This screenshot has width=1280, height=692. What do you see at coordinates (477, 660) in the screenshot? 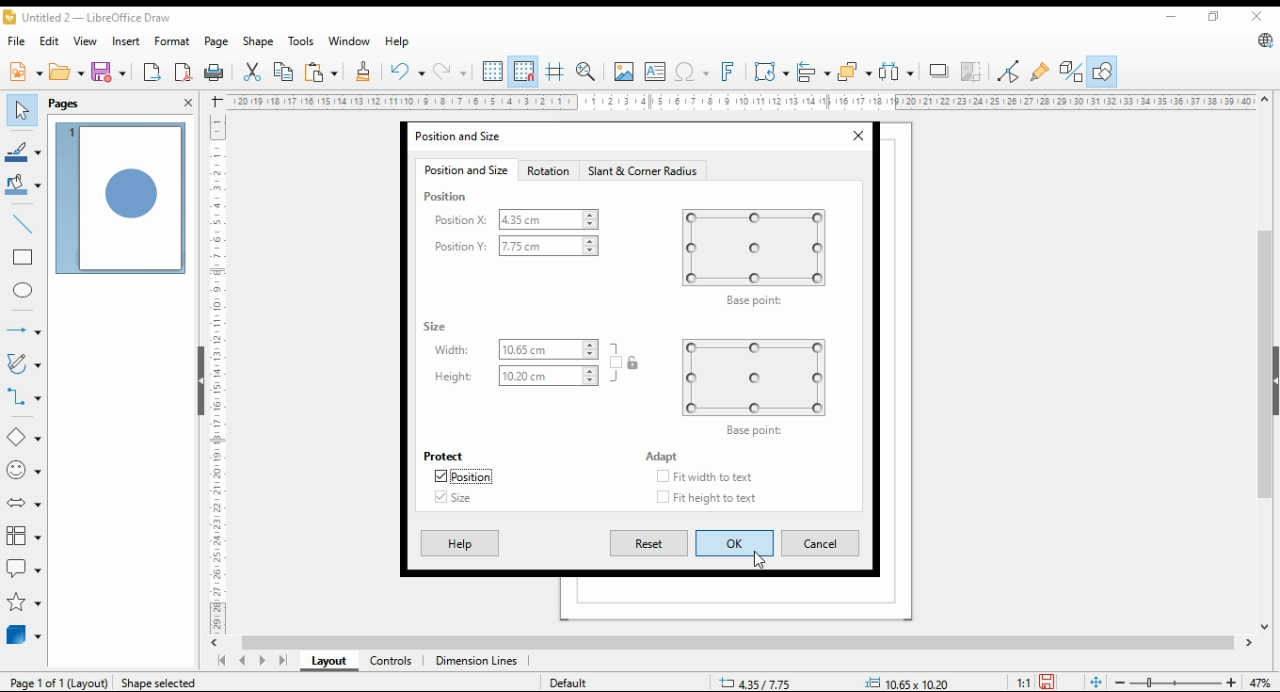
I see `dimension lines` at bounding box center [477, 660].